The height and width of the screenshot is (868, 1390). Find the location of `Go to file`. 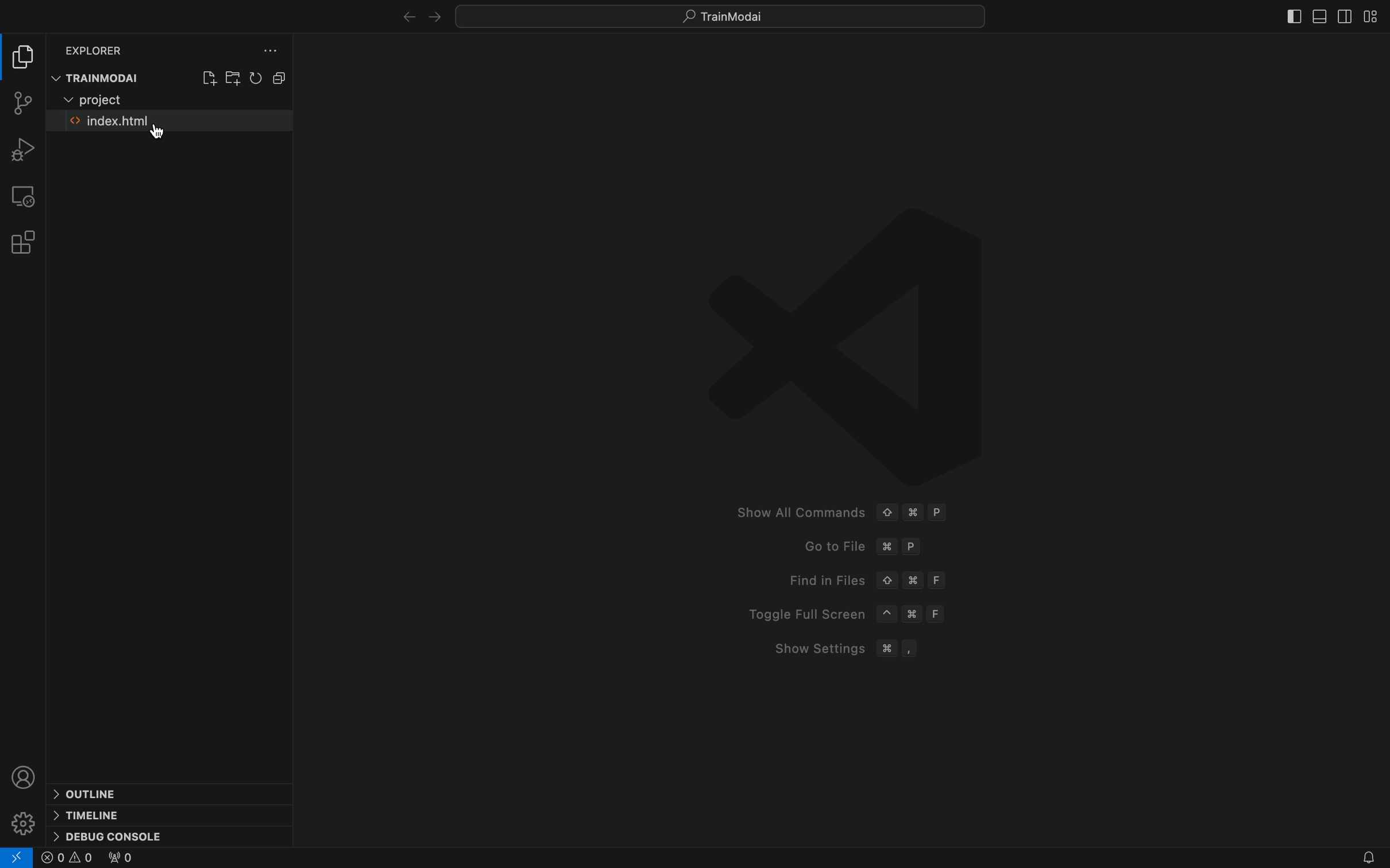

Go to file is located at coordinates (870, 548).